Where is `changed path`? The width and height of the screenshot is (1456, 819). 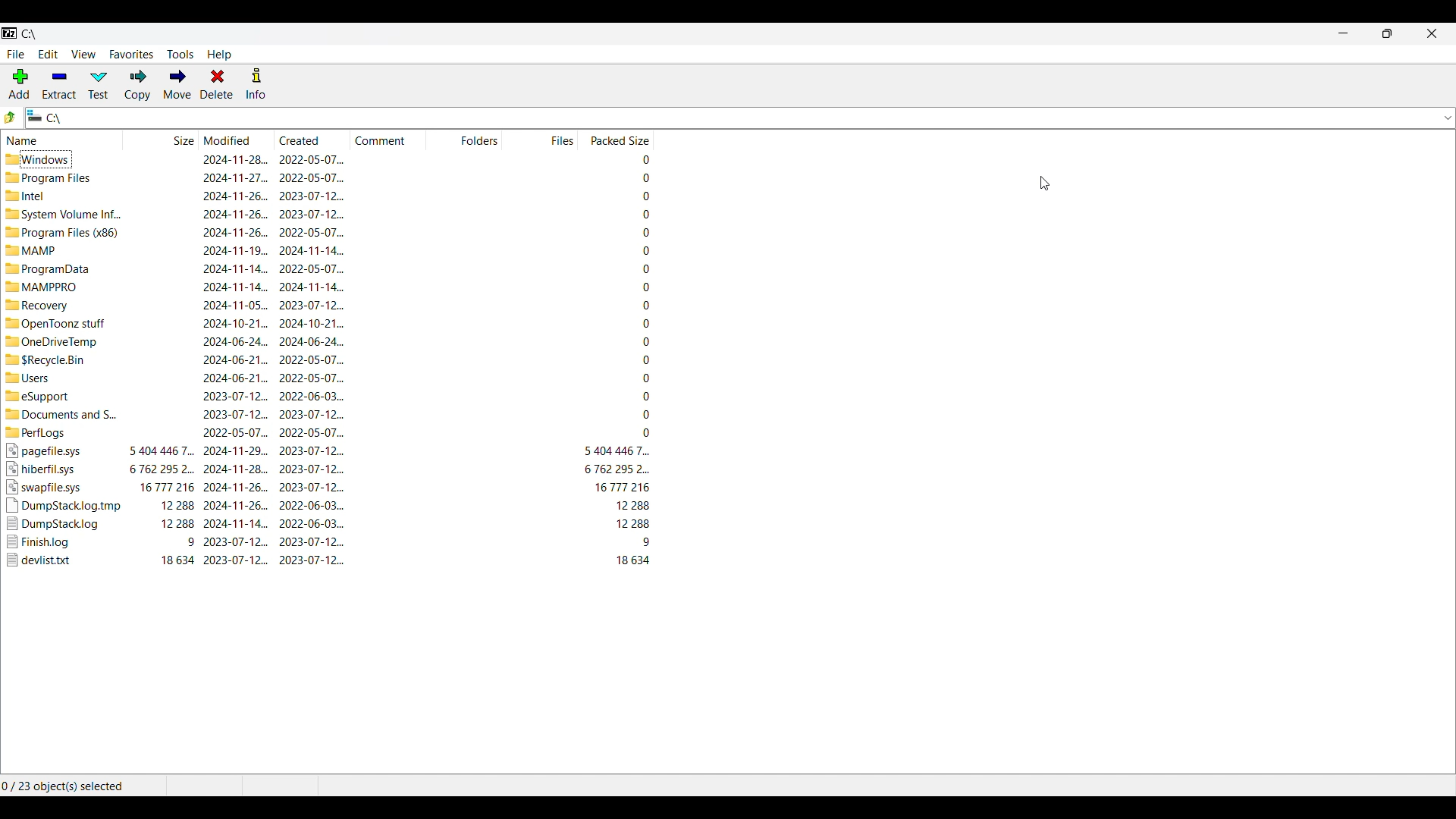 changed path is located at coordinates (729, 118).